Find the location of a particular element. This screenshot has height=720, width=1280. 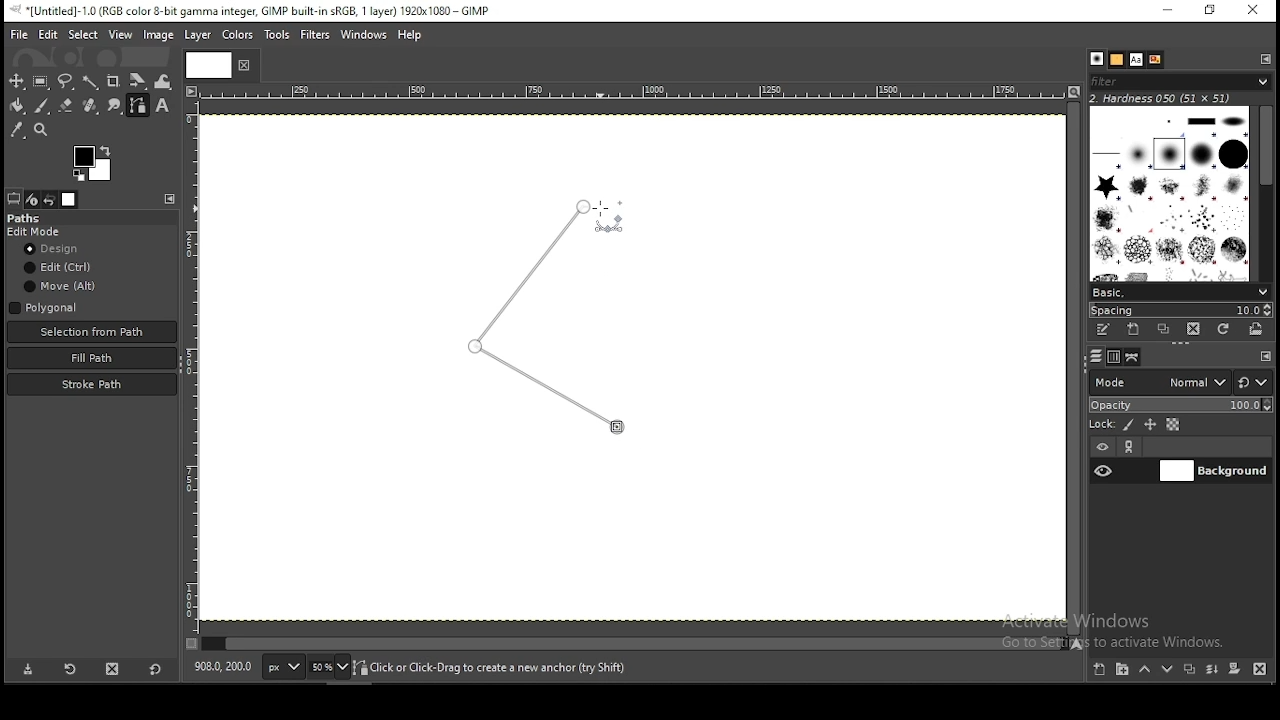

undo history is located at coordinates (50, 199).